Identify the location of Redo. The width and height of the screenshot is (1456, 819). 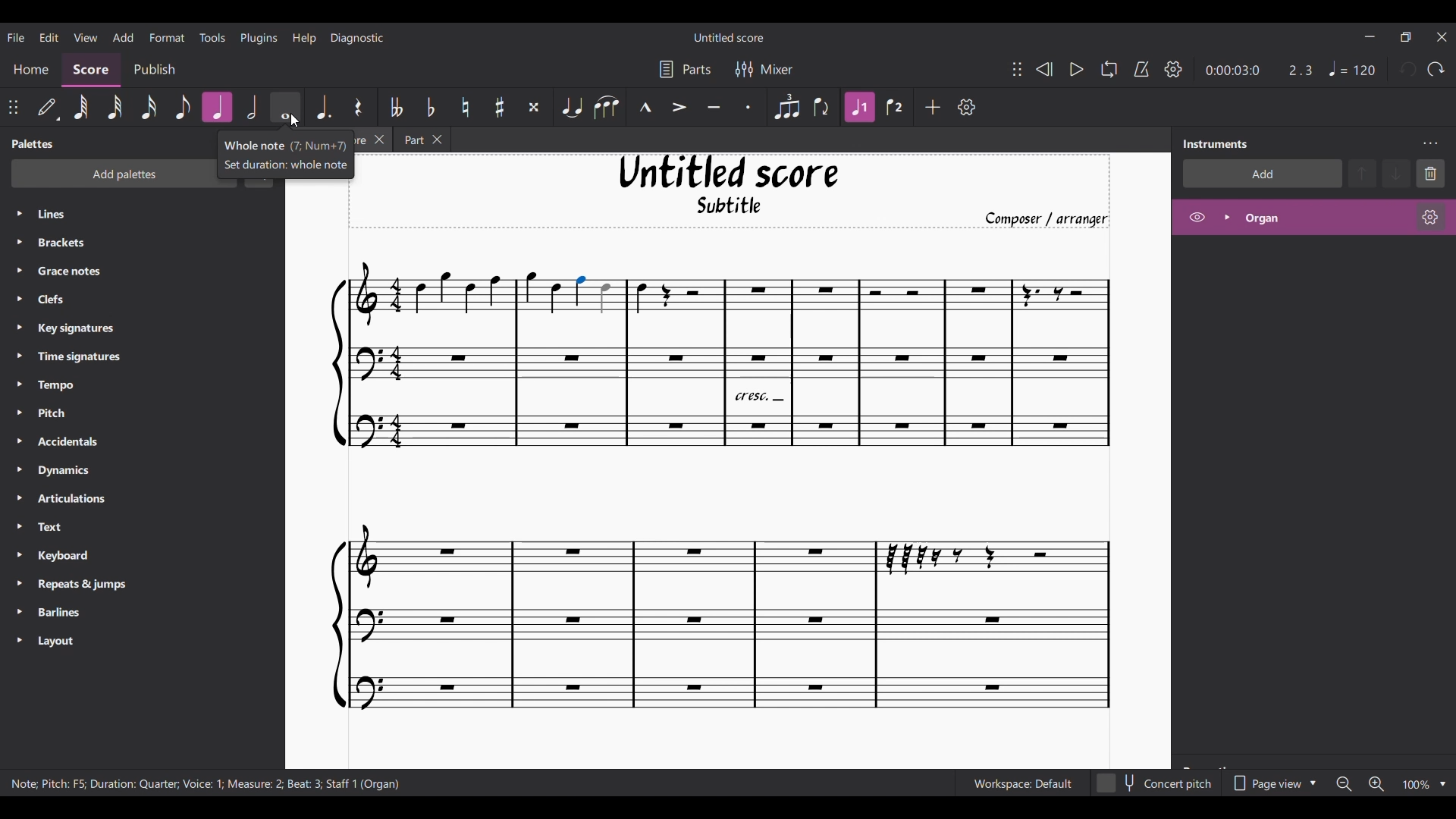
(1435, 70).